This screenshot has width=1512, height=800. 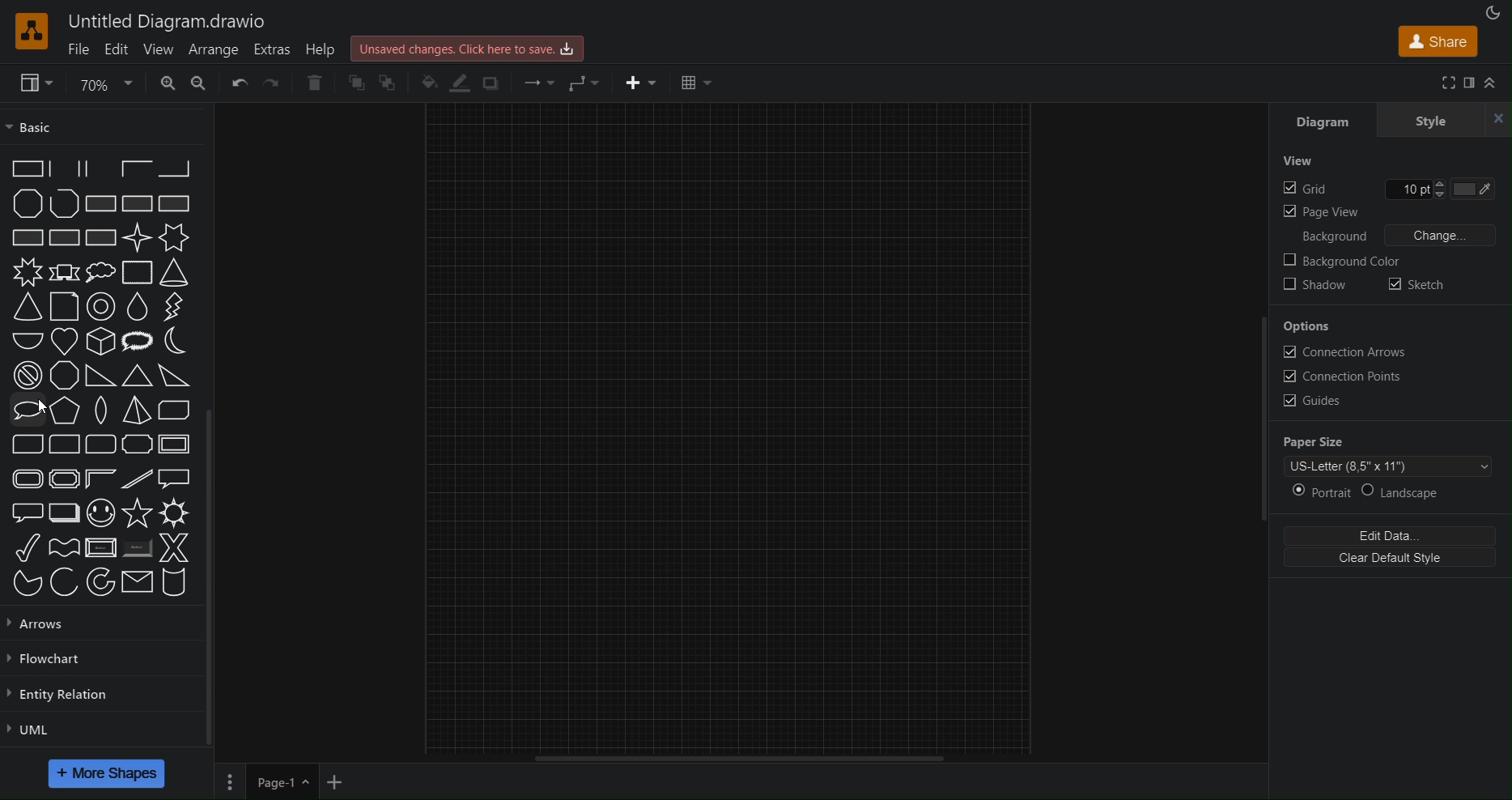 What do you see at coordinates (32, 83) in the screenshot?
I see `View` at bounding box center [32, 83].